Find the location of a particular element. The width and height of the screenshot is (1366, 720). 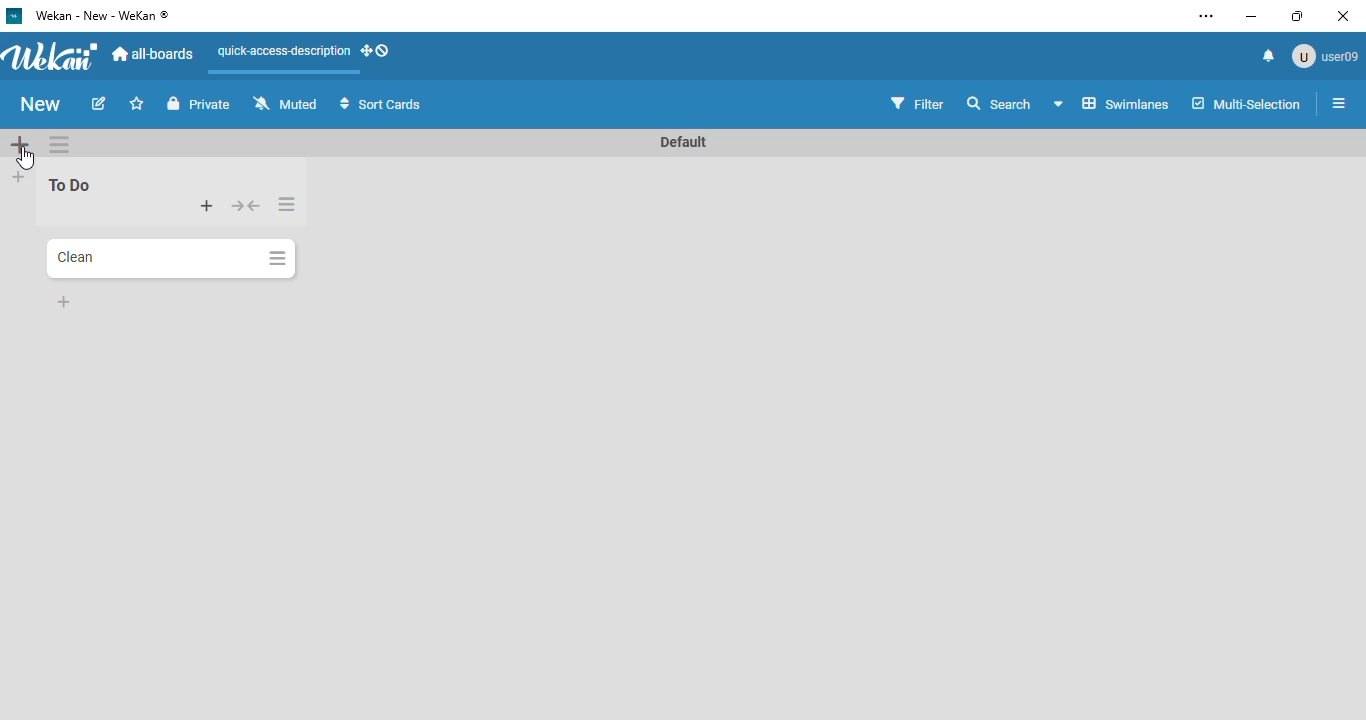

multi-selection is located at coordinates (1246, 104).